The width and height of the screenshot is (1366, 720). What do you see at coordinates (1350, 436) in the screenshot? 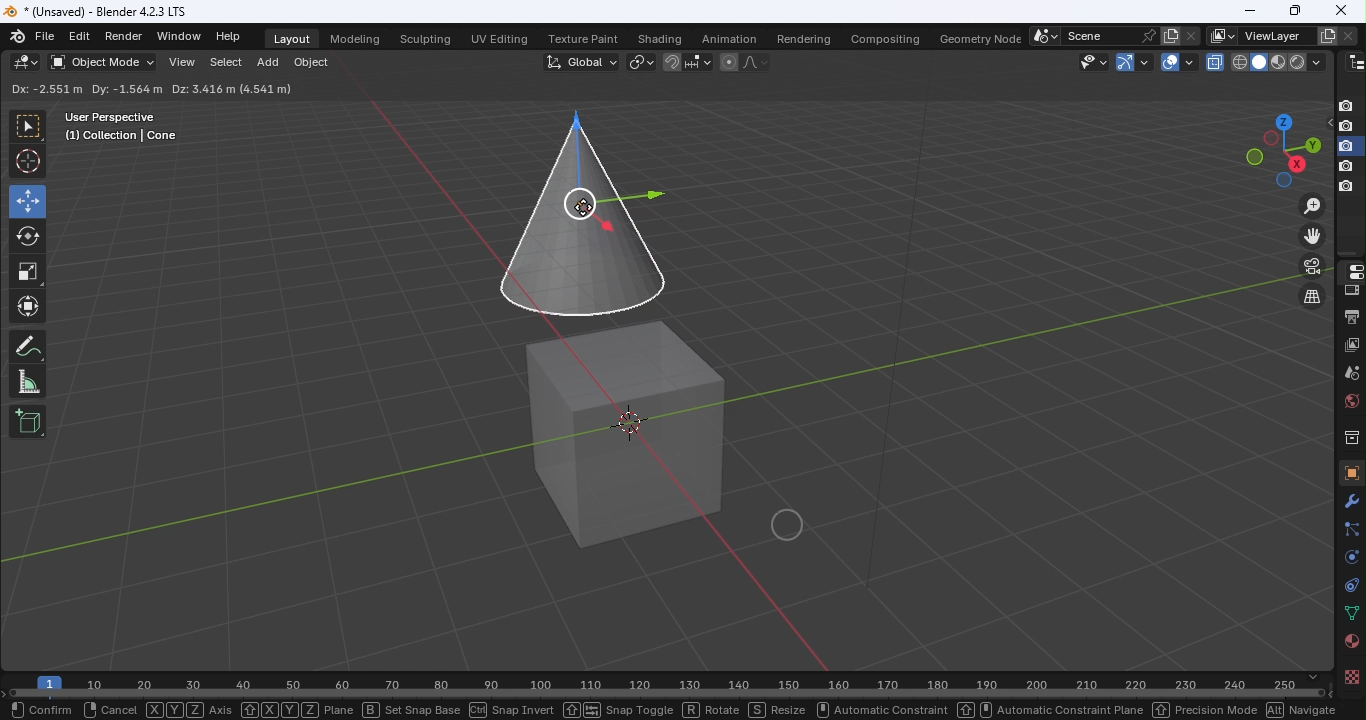
I see `Collection` at bounding box center [1350, 436].